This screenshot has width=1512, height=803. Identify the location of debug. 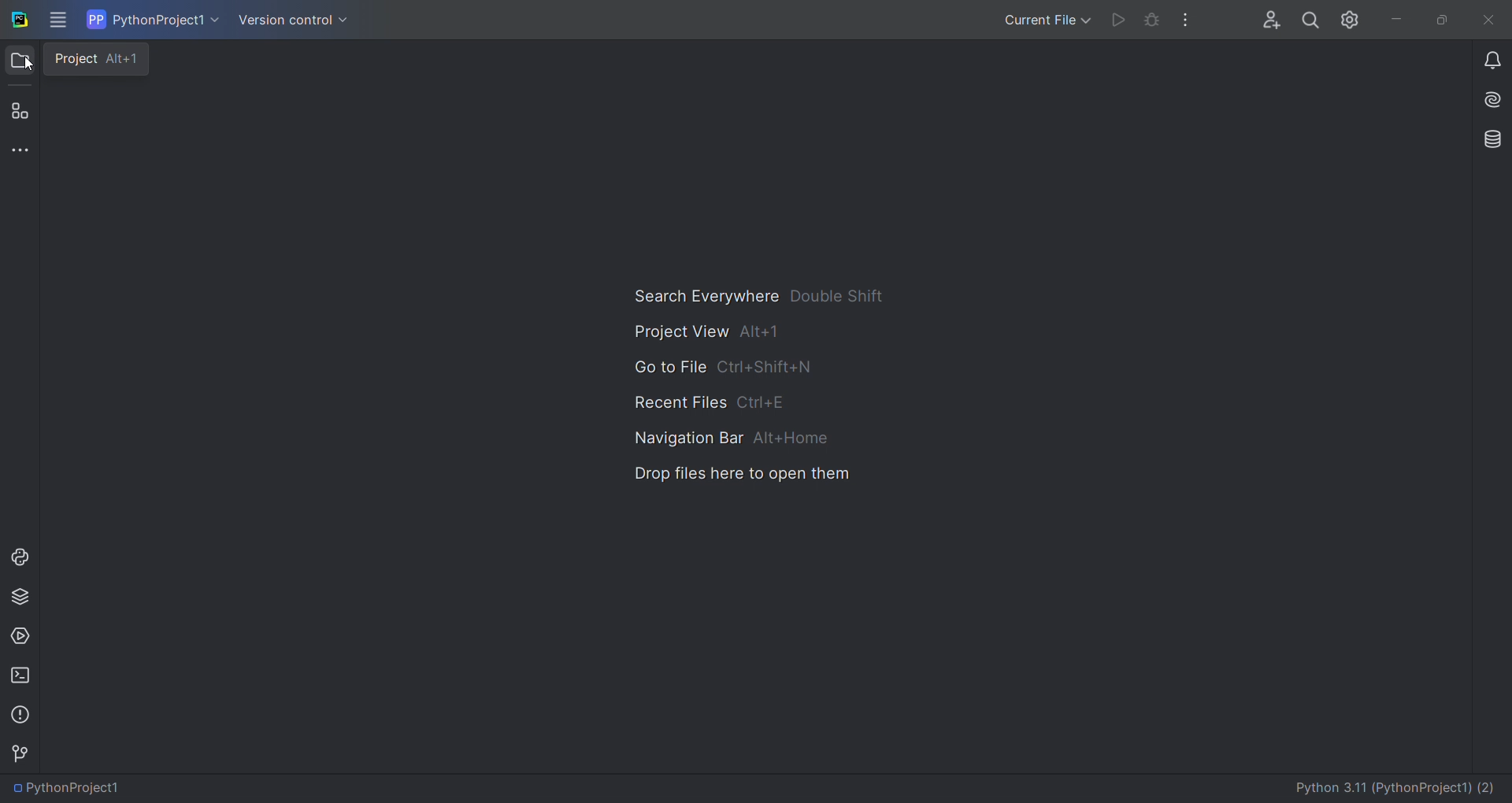
(1152, 19).